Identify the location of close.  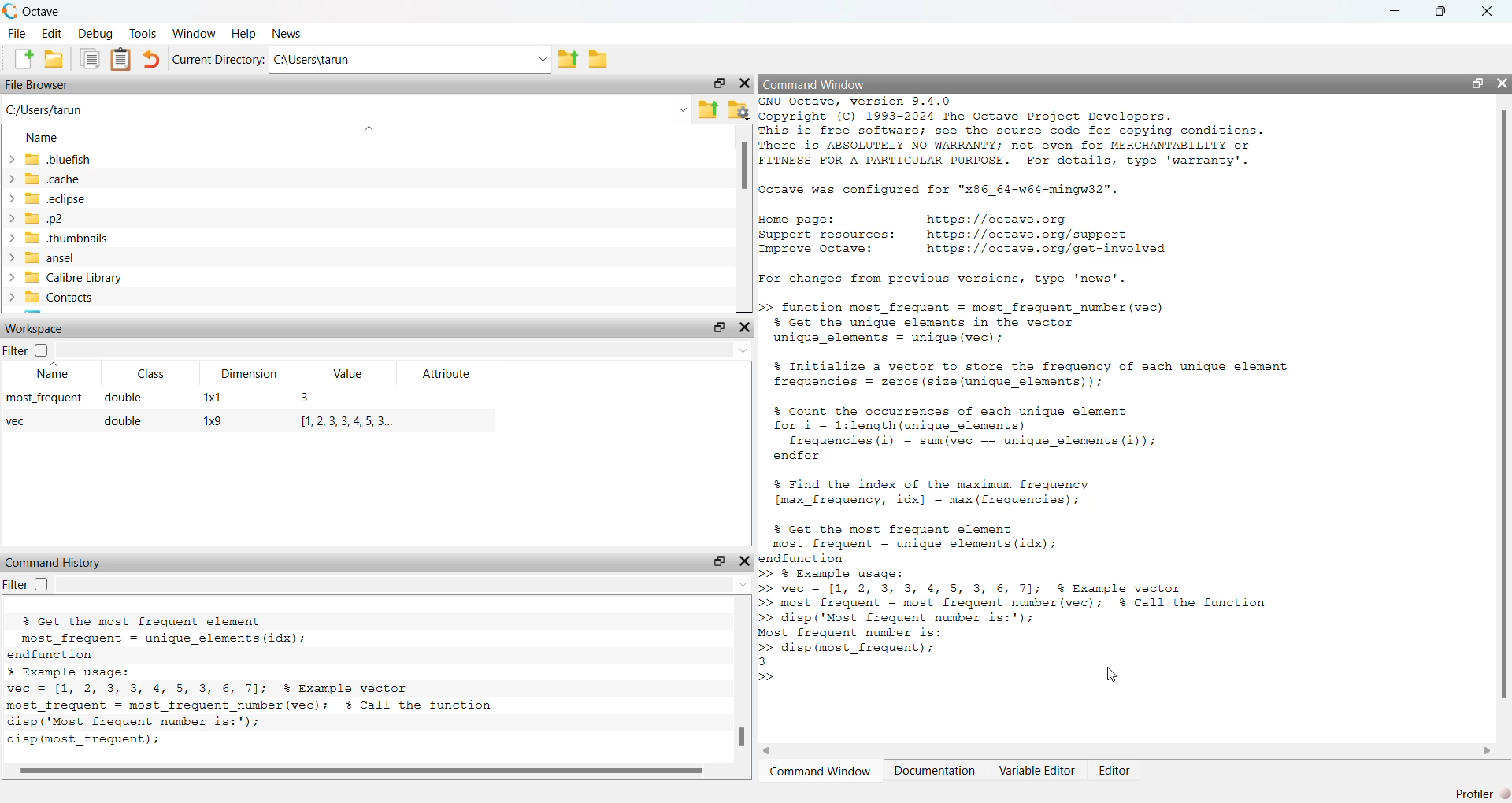
(1485, 12).